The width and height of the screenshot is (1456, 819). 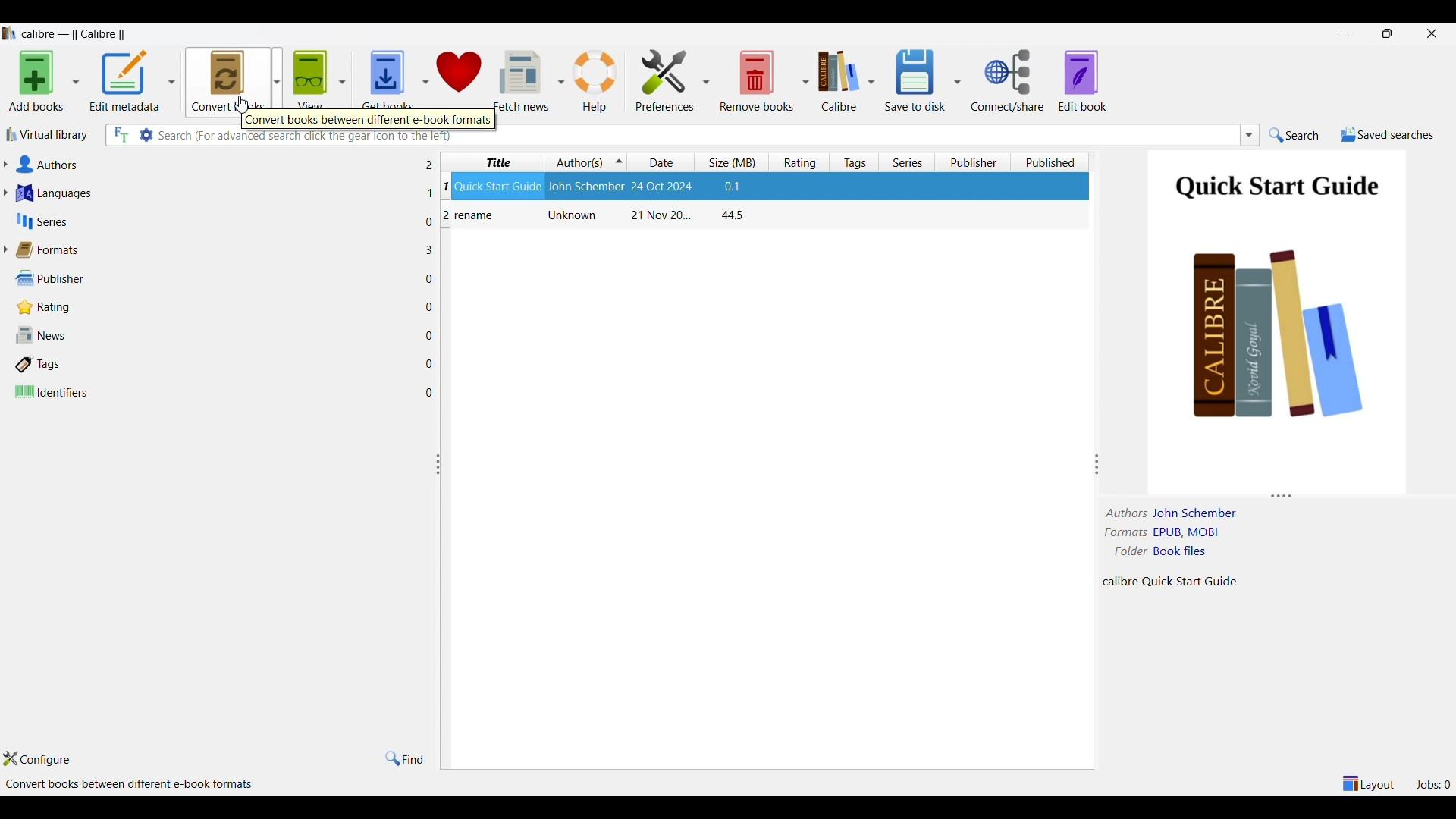 What do you see at coordinates (597, 217) in the screenshot?
I see `Book: rename` at bounding box center [597, 217].